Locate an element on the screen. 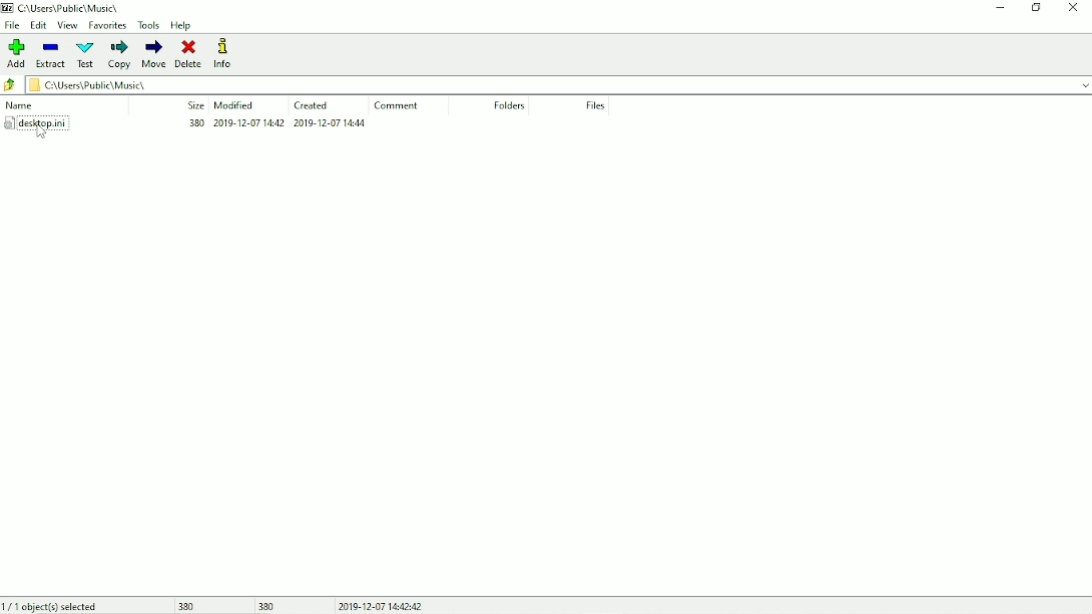 This screenshot has width=1092, height=614. 380 is located at coordinates (268, 605).